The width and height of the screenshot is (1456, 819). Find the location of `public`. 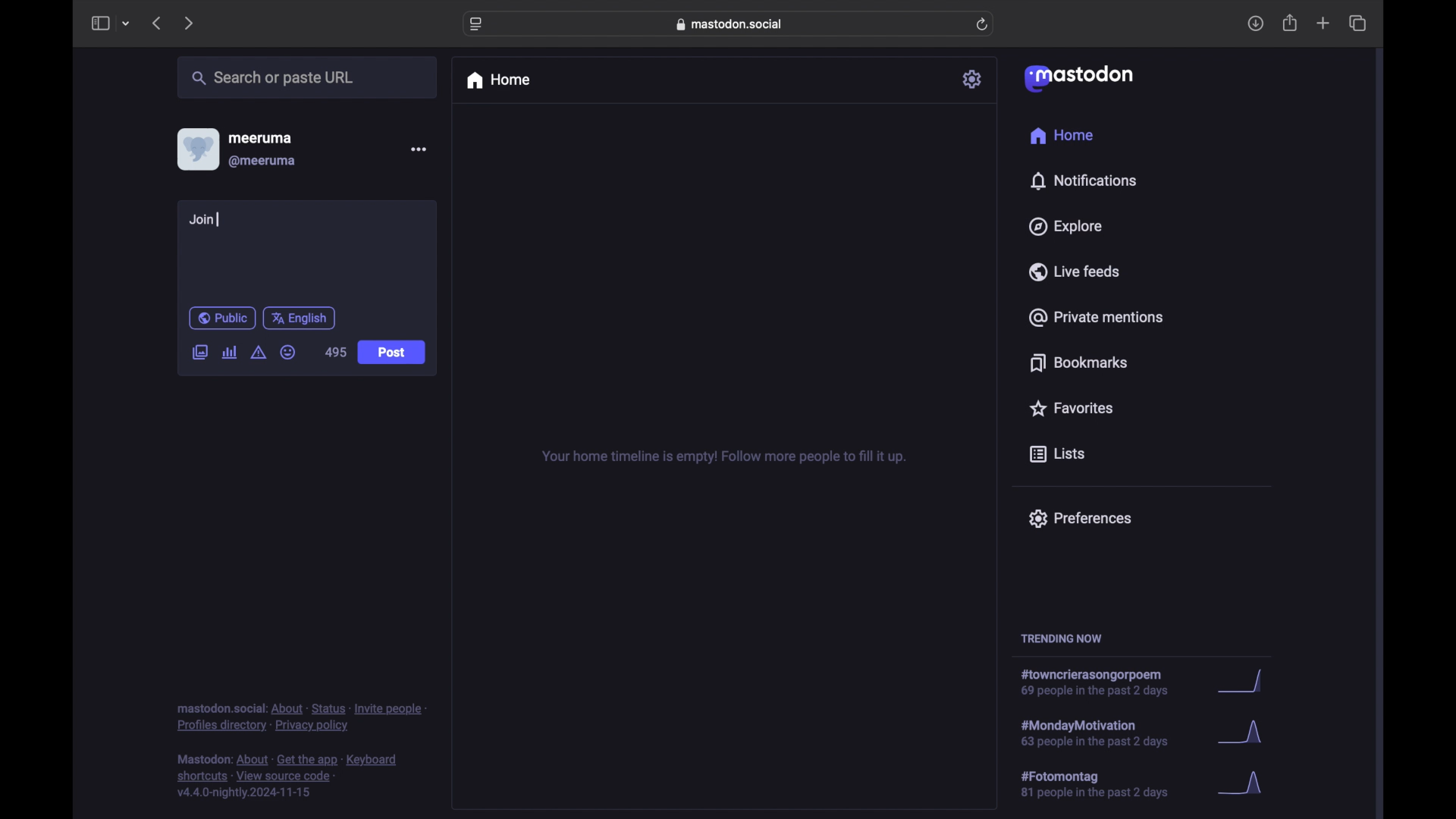

public is located at coordinates (221, 318).